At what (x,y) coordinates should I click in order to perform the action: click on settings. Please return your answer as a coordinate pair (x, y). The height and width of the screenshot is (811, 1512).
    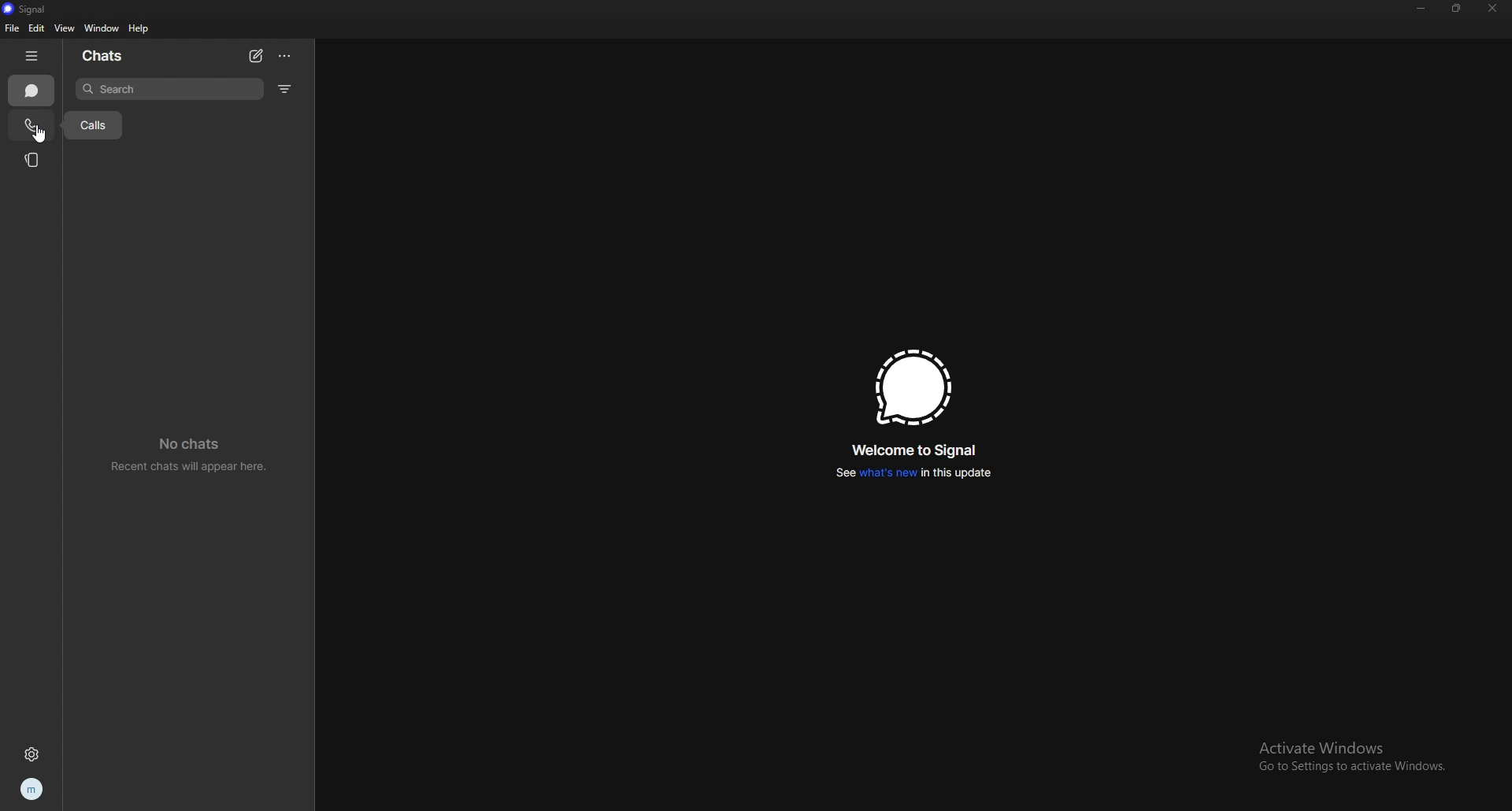
    Looking at the image, I should click on (31, 754).